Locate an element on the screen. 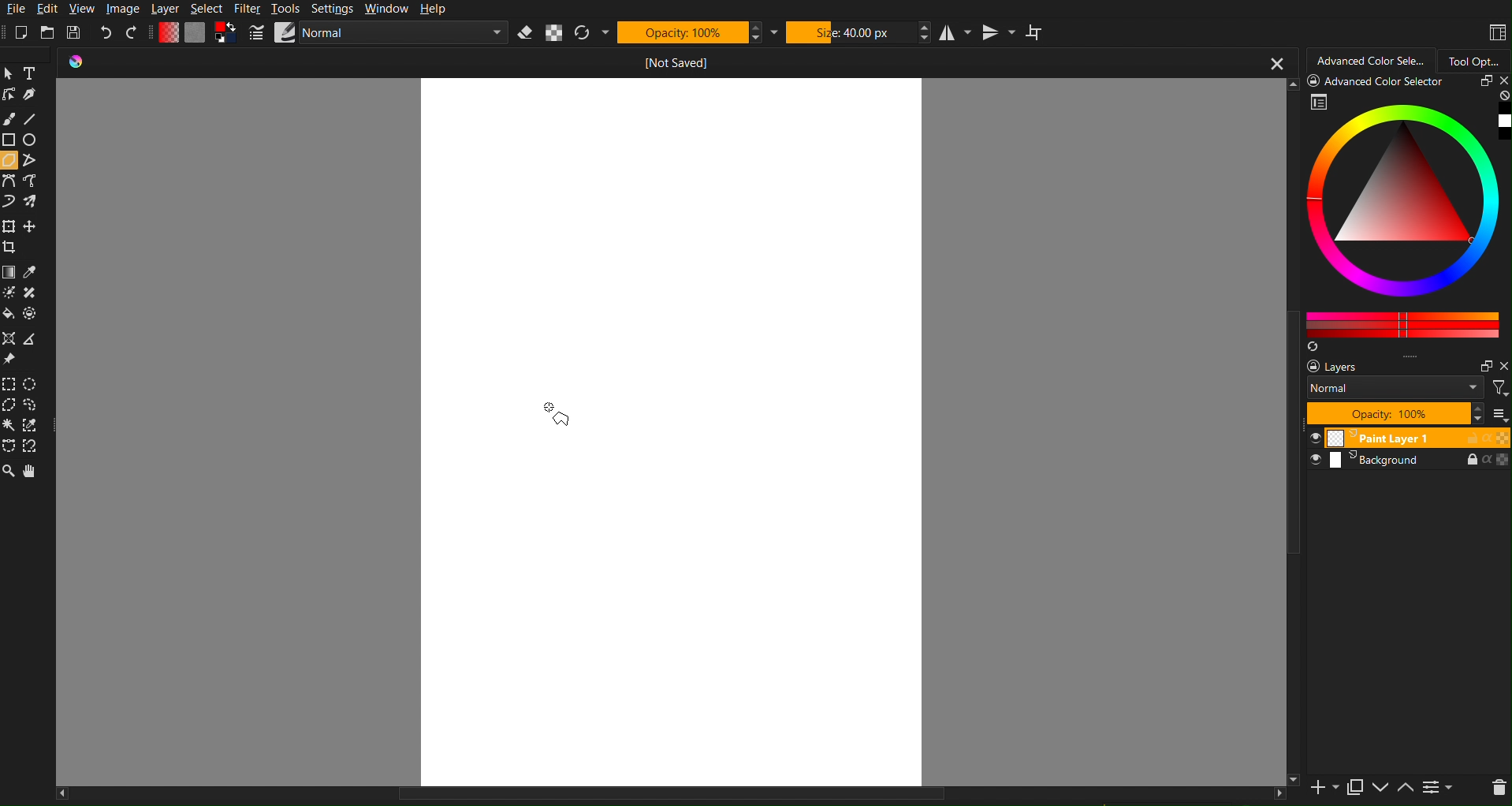 This screenshot has height=806, width=1512. smart patch tool is located at coordinates (32, 291).